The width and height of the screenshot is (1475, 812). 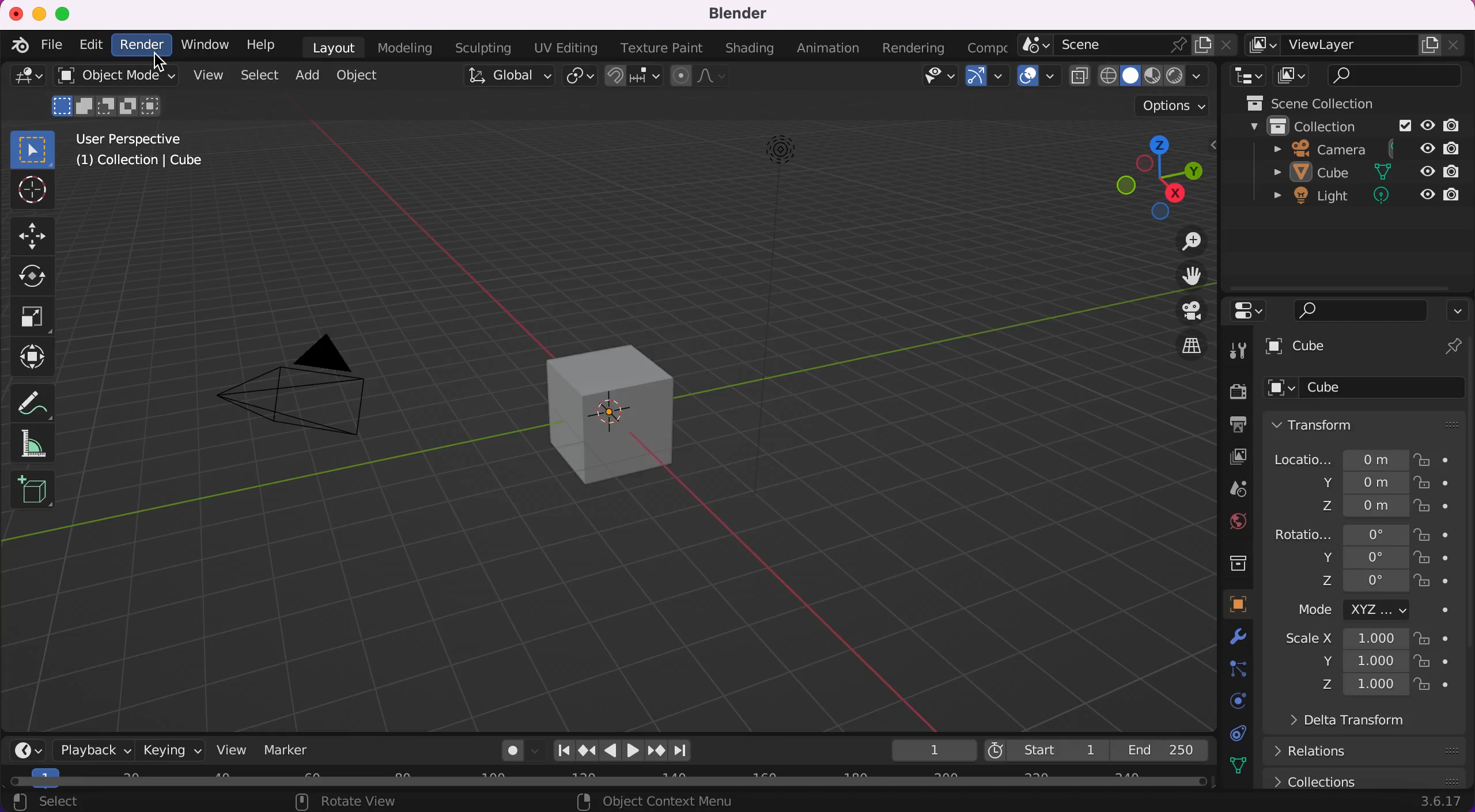 What do you see at coordinates (1428, 147) in the screenshot?
I see `hide in viewport` at bounding box center [1428, 147].